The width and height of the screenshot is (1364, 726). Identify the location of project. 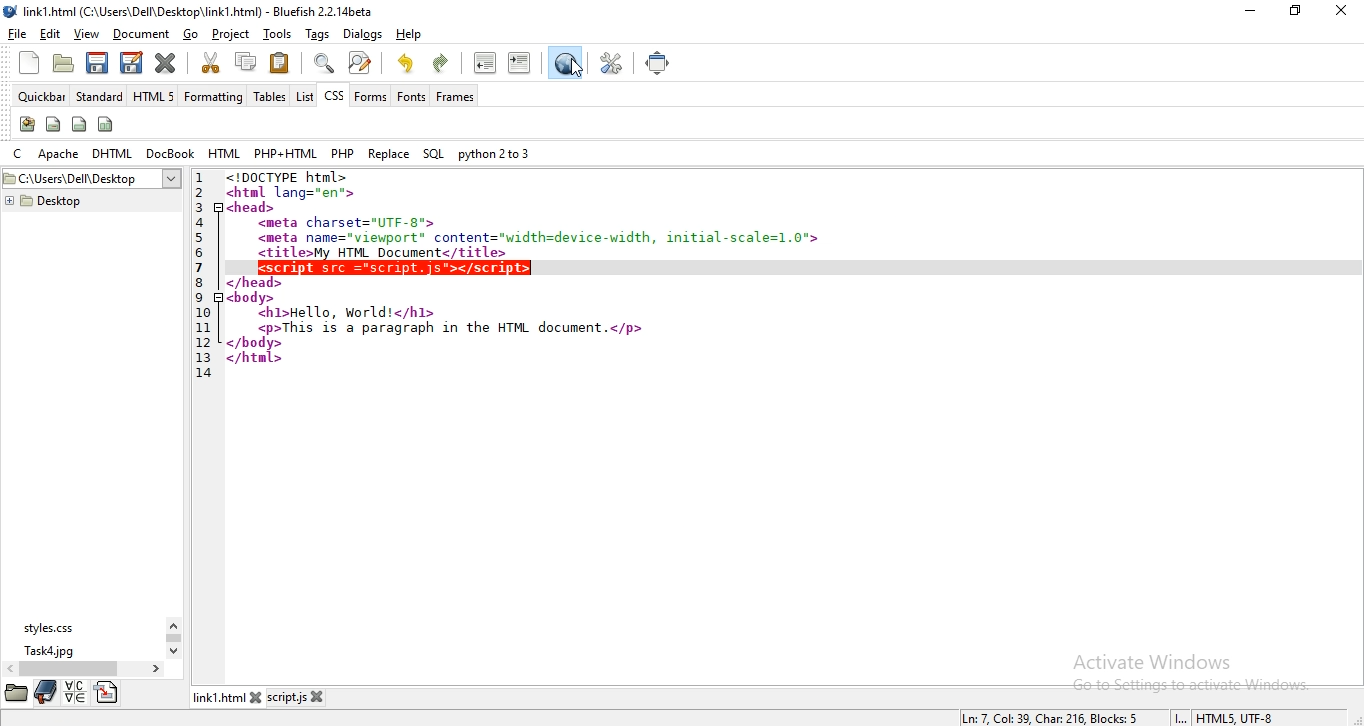
(231, 34).